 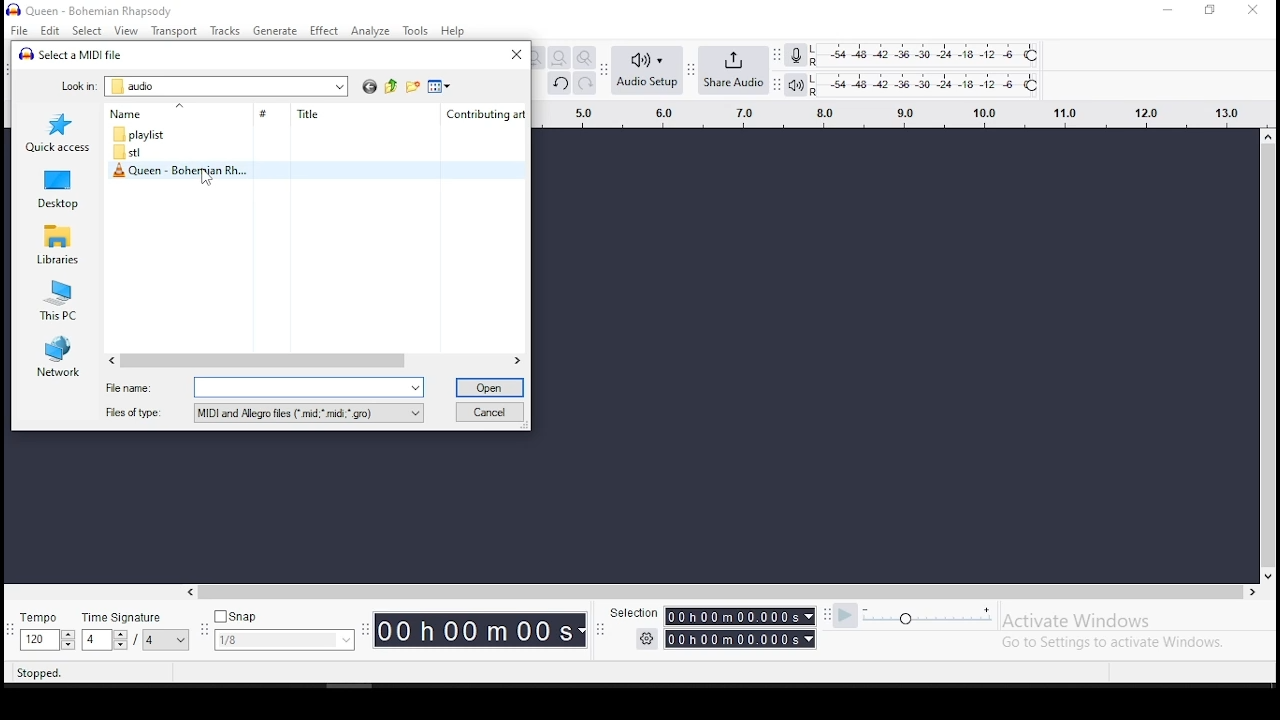 I want to click on tempo, so click(x=47, y=632).